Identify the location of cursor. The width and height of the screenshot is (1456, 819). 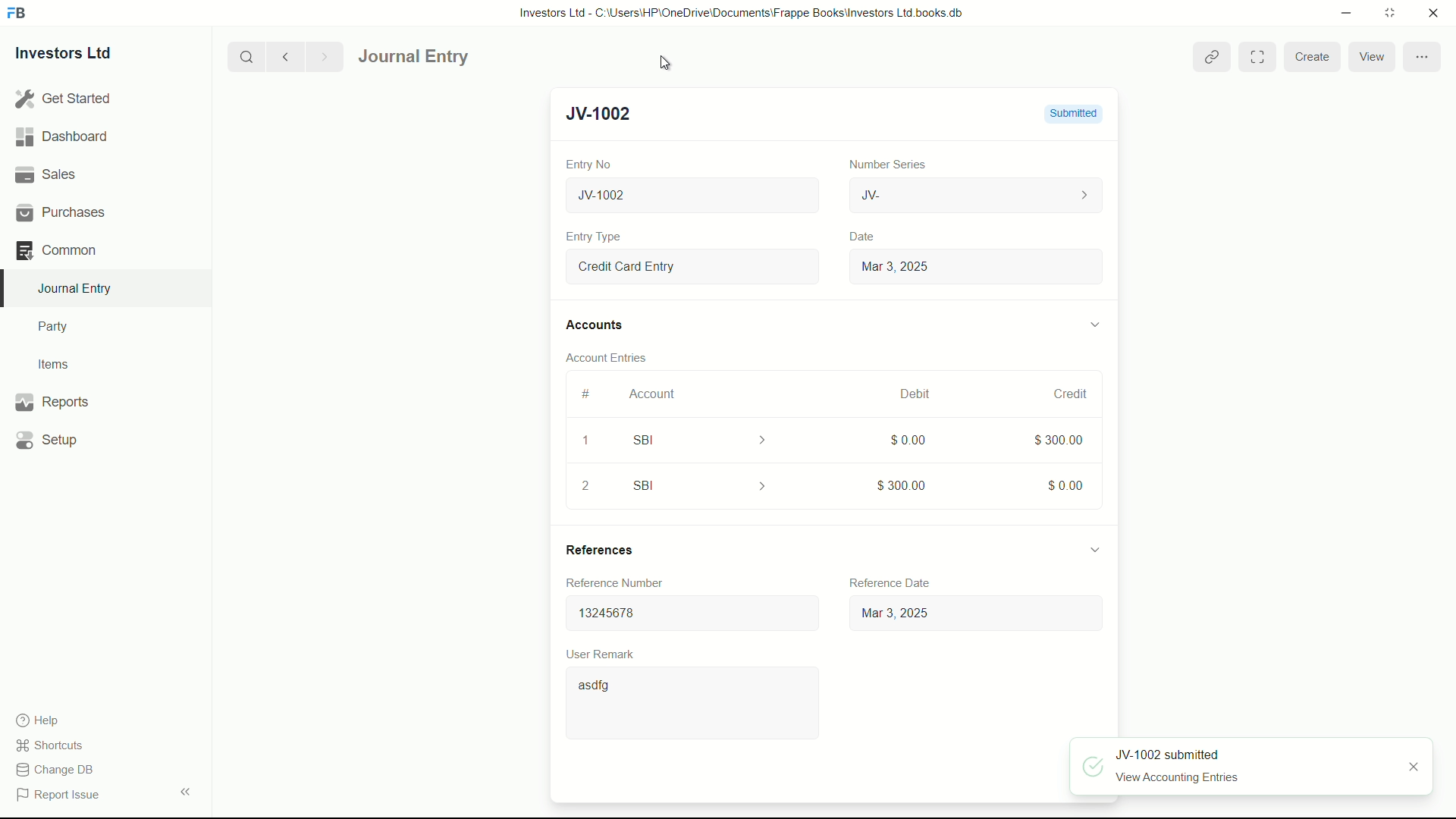
(667, 63).